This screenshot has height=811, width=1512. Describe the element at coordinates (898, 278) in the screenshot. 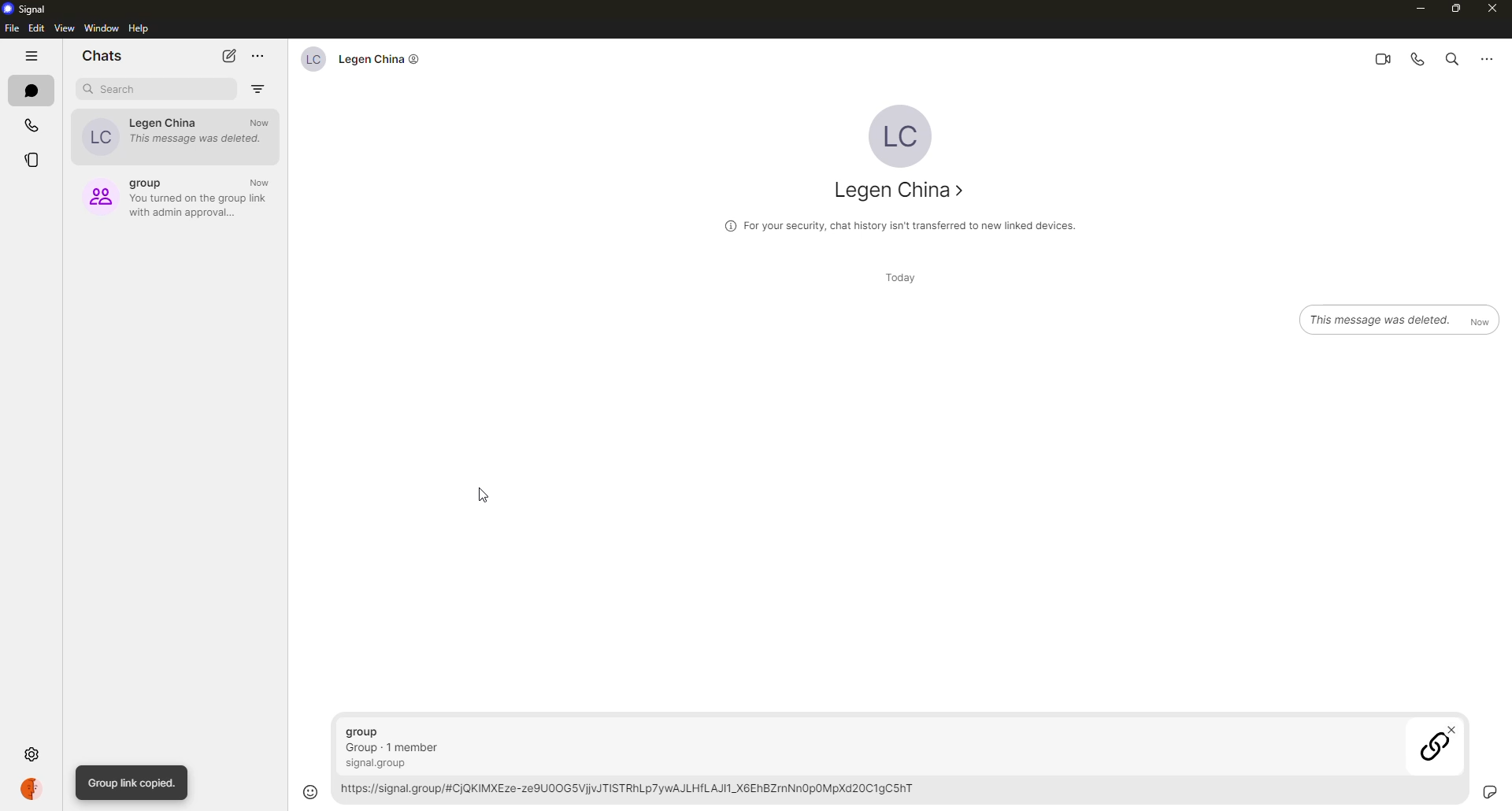

I see `day` at that location.